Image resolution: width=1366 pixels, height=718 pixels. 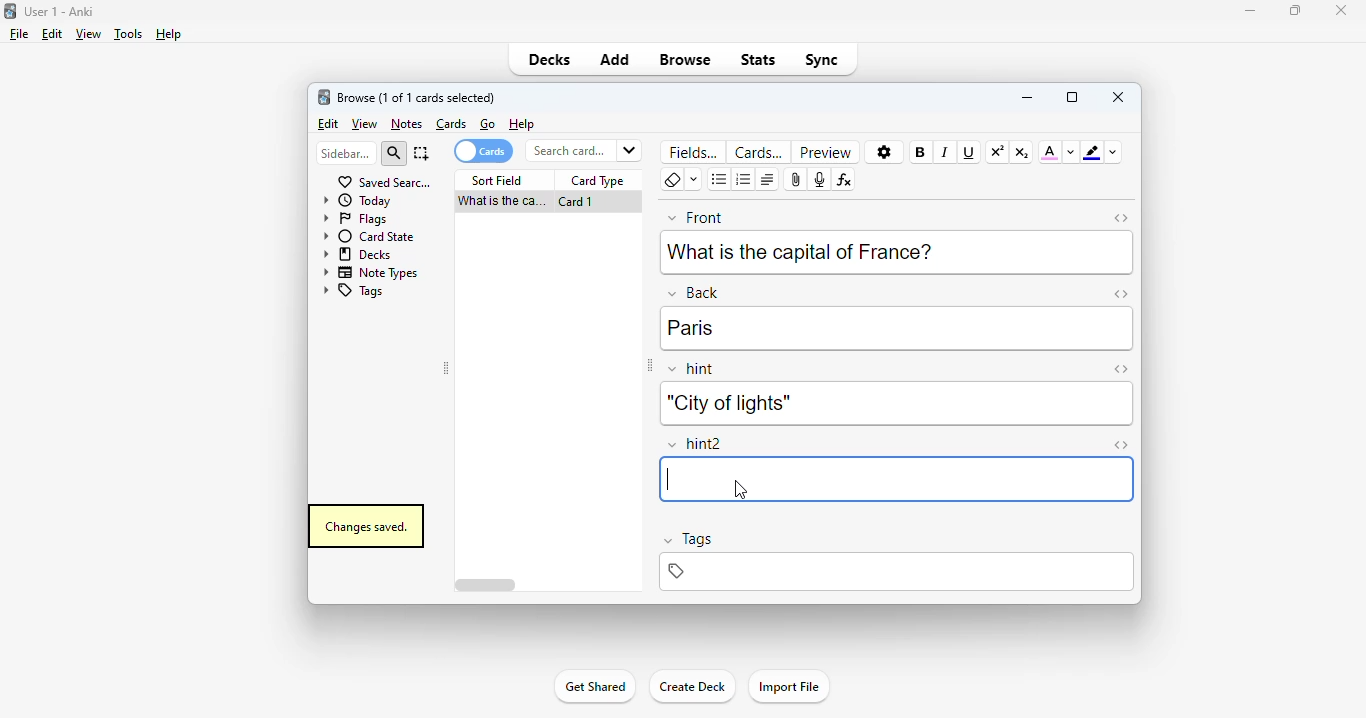 I want to click on search, so click(x=394, y=154).